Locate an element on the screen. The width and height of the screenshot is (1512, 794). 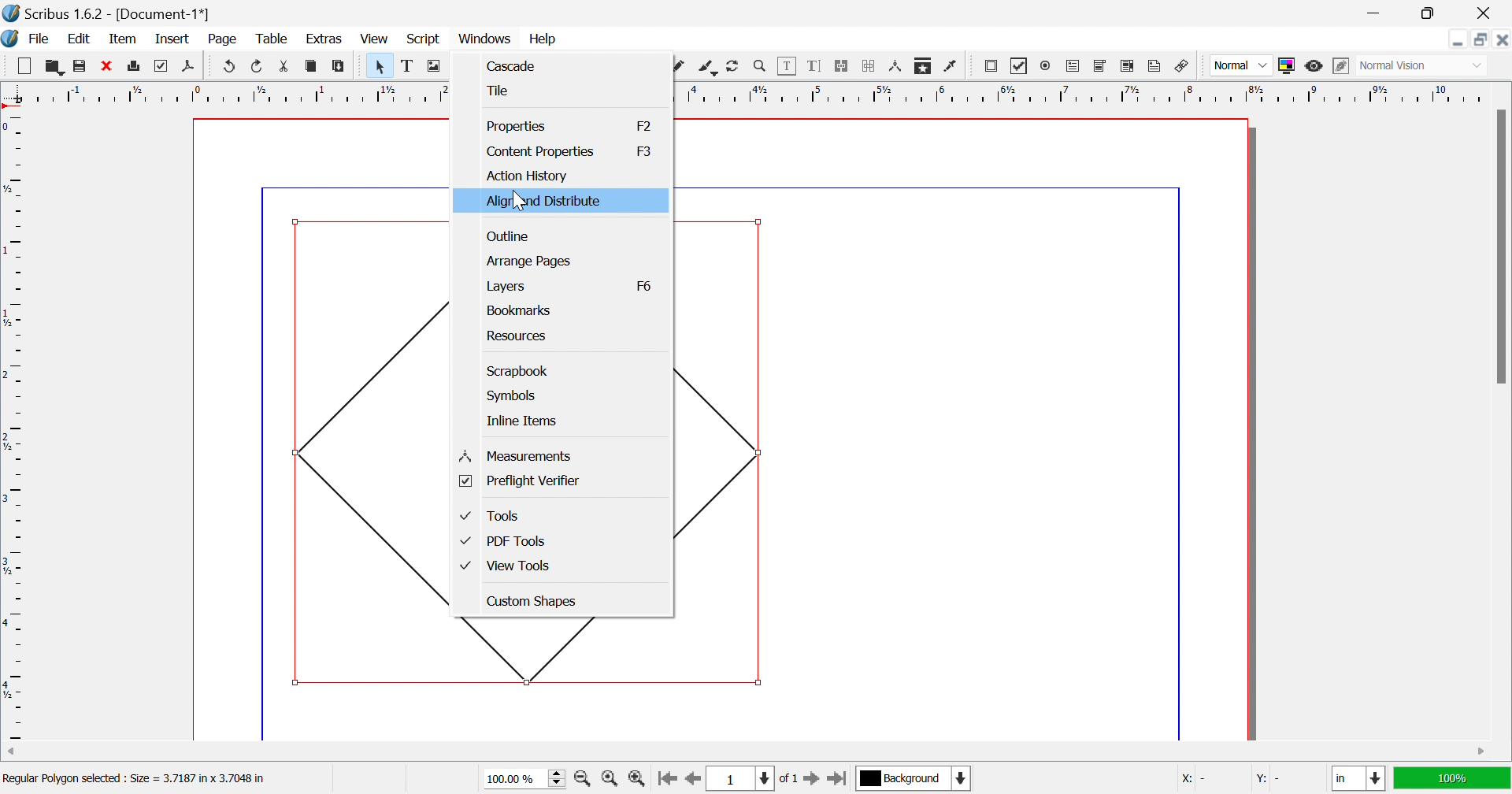
Zoom in or out is located at coordinates (760, 65).